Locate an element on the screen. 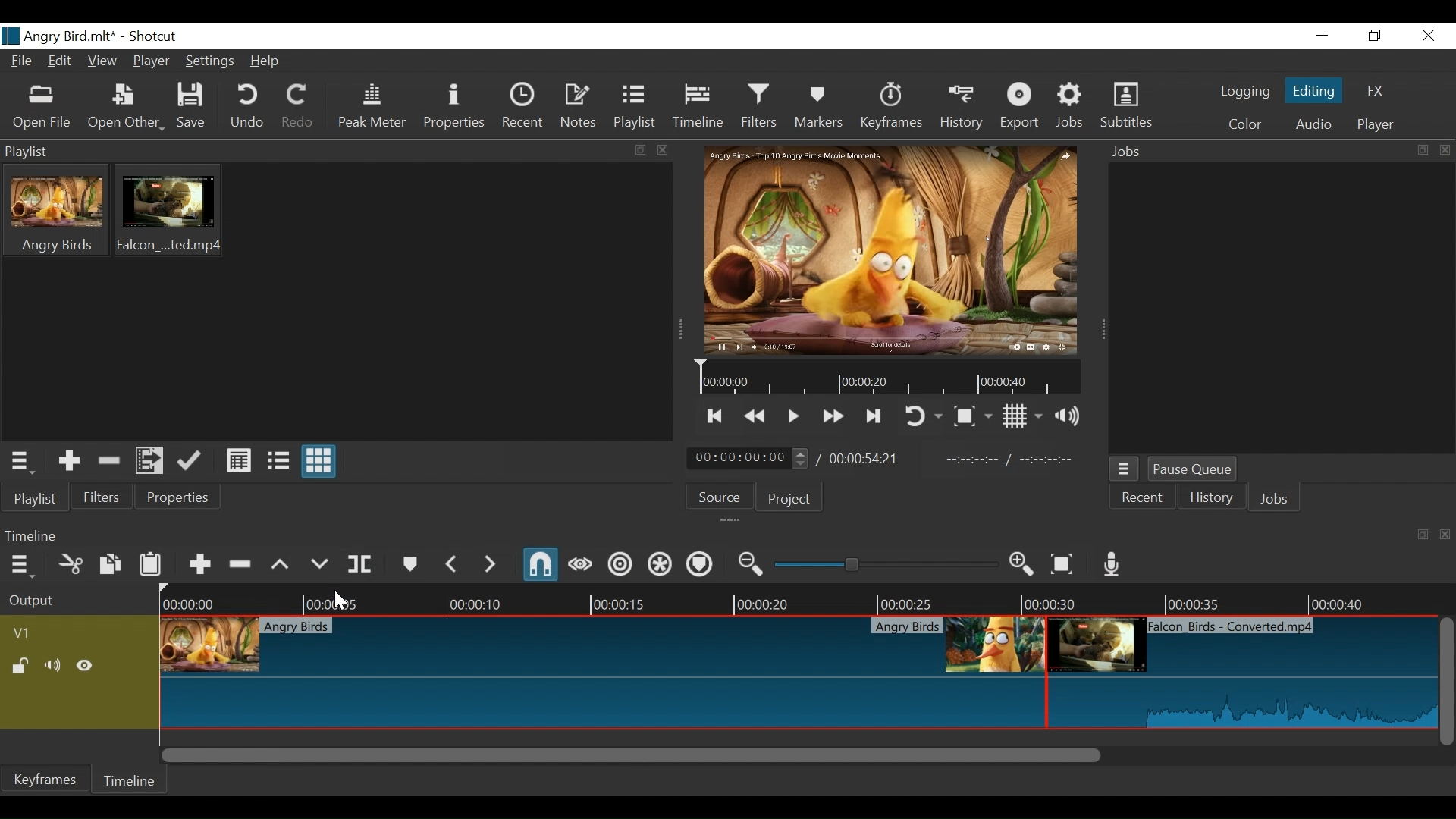 This screenshot has height=819, width=1456. Ripple is located at coordinates (620, 565).